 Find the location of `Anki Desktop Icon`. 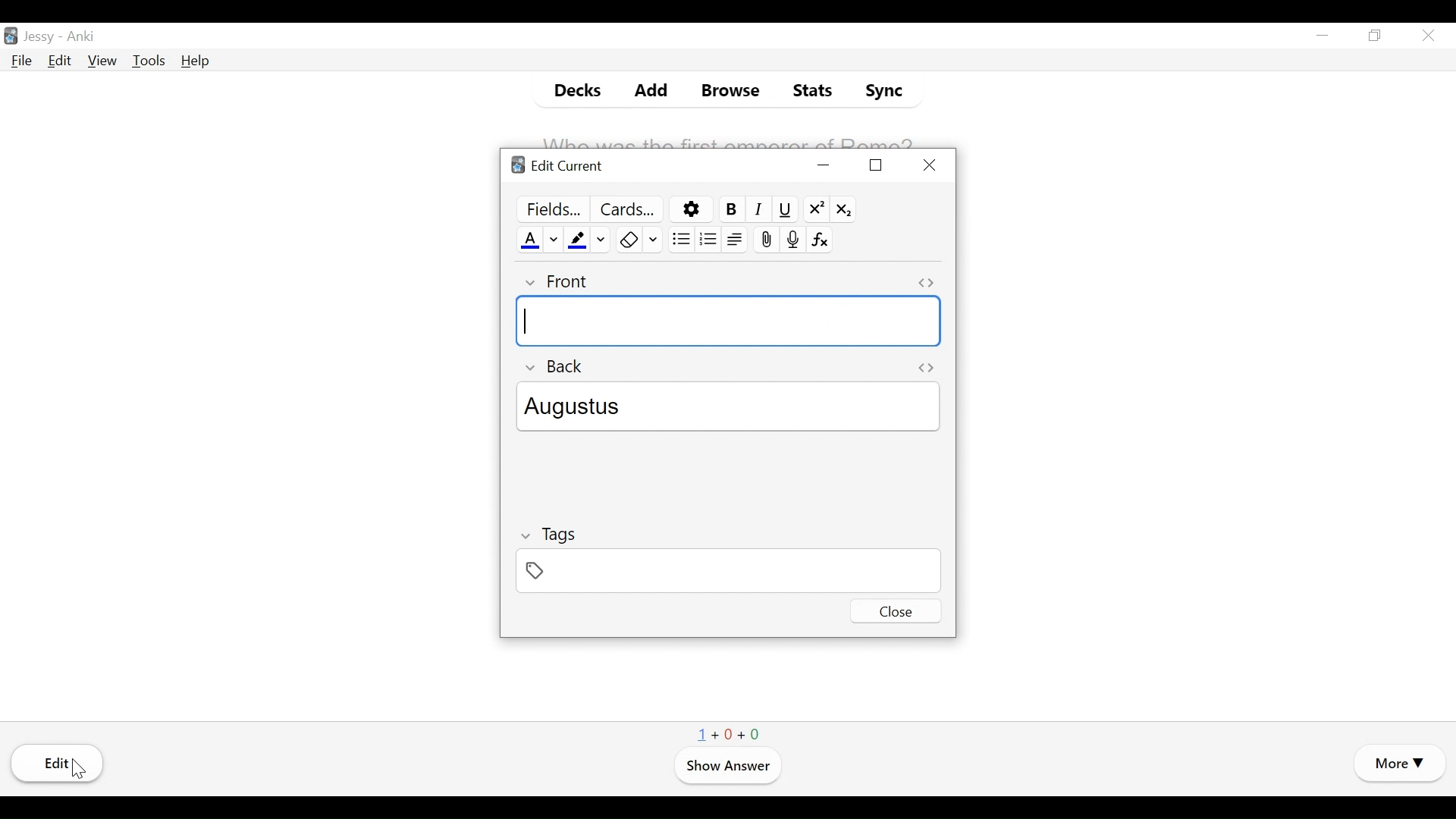

Anki Desktop Icon is located at coordinates (11, 35).